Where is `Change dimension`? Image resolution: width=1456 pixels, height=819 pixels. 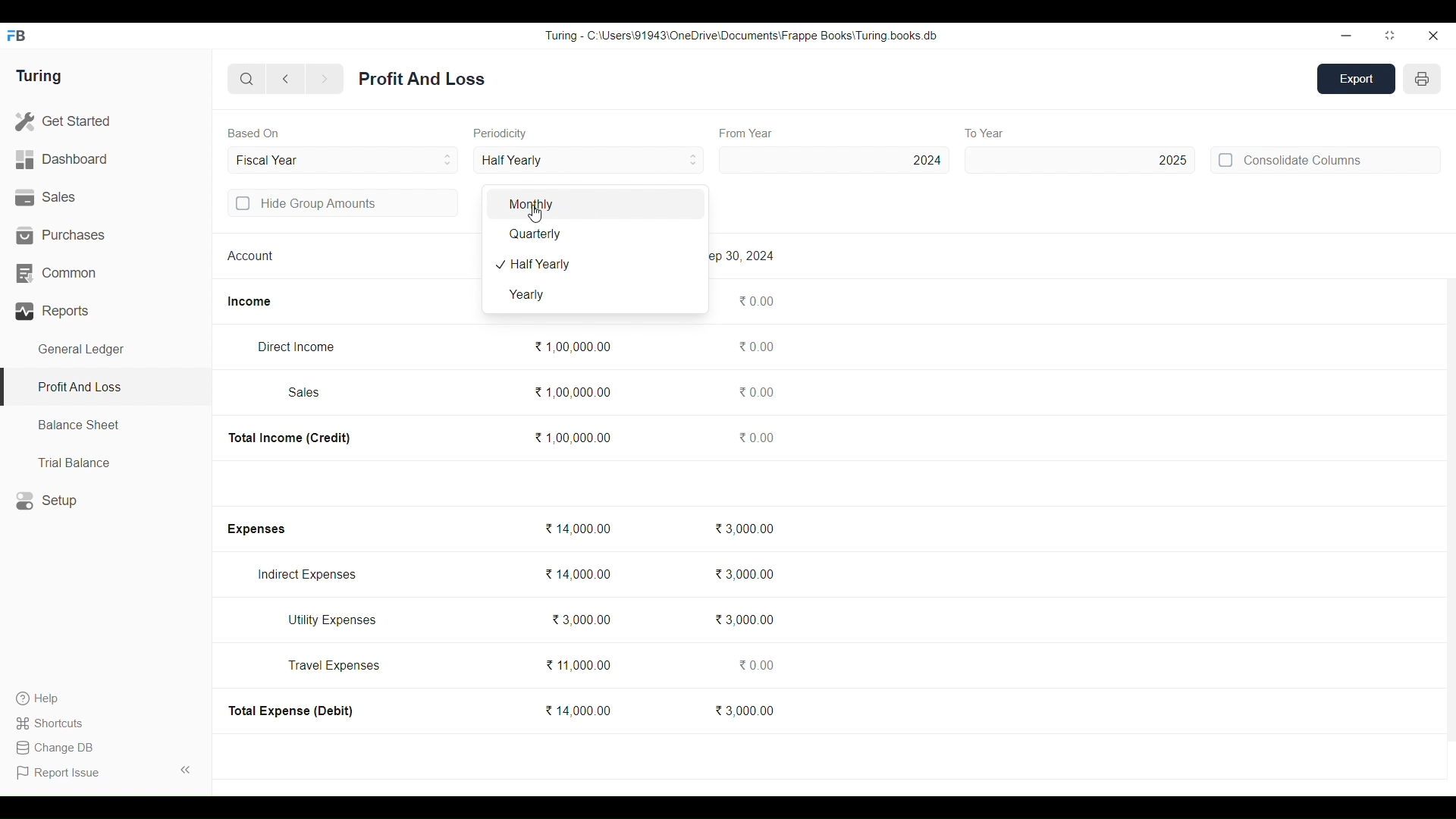
Change dimension is located at coordinates (1390, 36).